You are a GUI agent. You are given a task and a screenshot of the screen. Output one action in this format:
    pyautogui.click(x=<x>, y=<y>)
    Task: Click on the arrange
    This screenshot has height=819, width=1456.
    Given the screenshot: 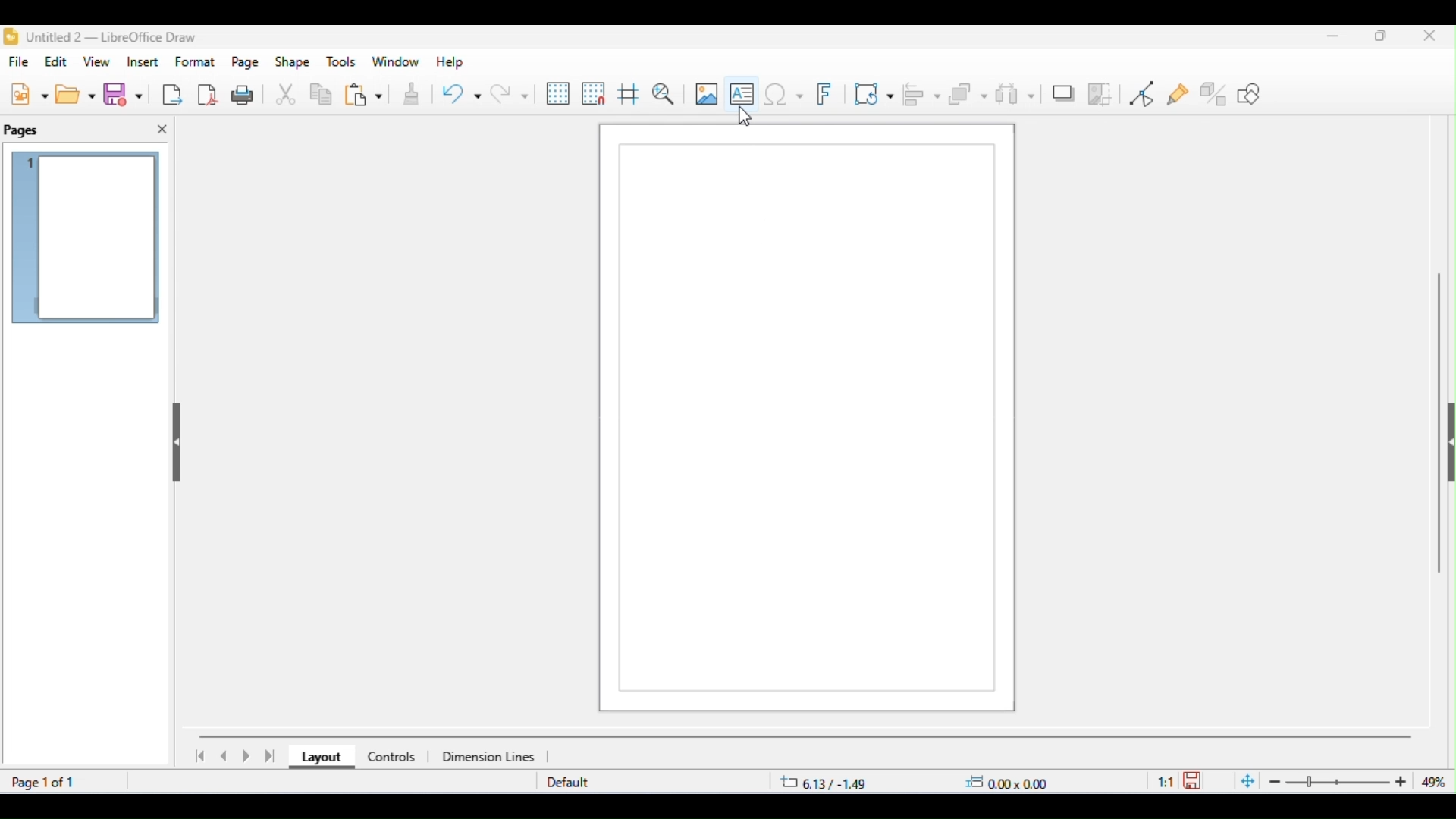 What is the action you would take?
    pyautogui.click(x=968, y=95)
    